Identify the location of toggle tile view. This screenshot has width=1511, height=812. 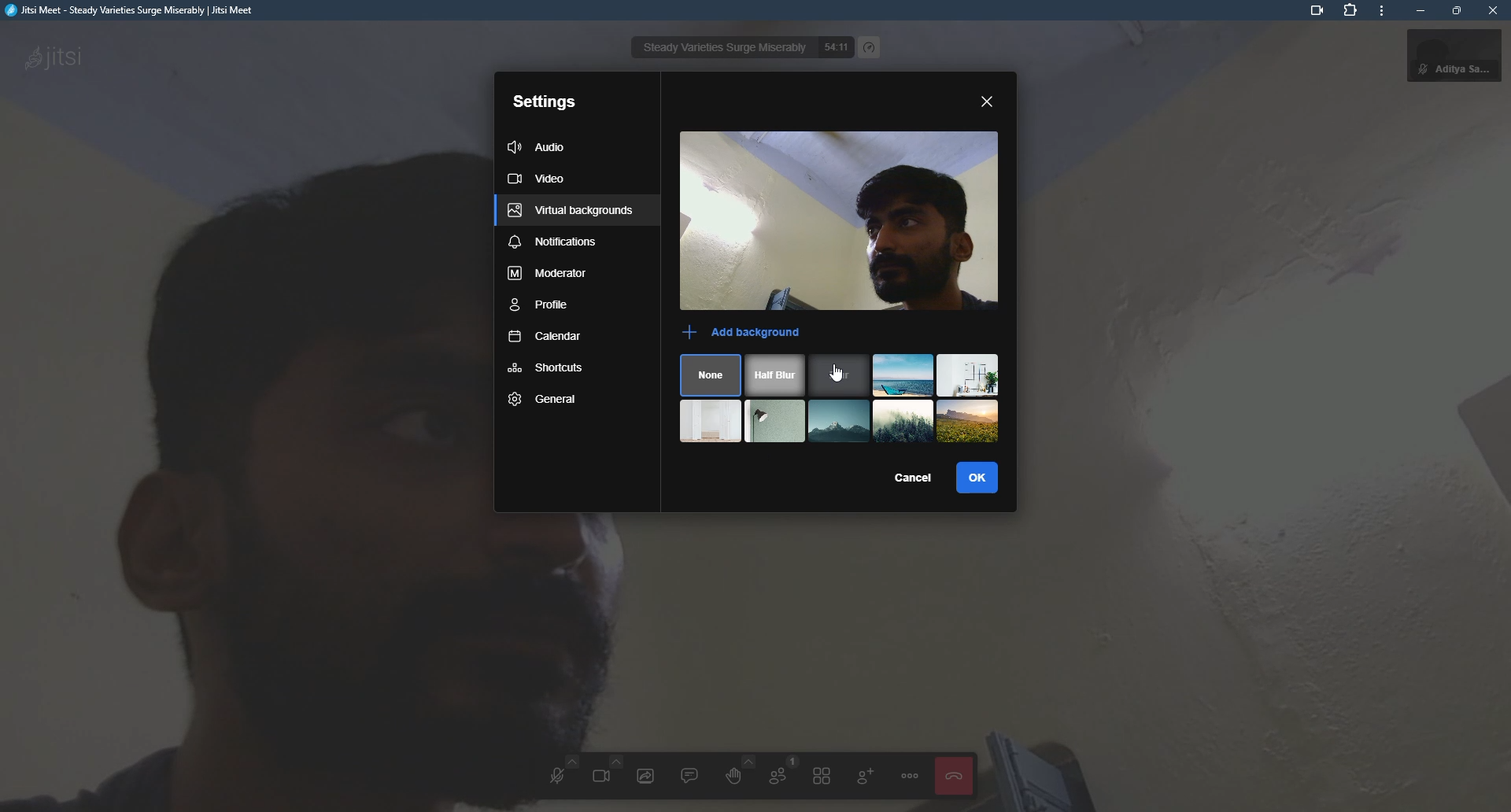
(823, 775).